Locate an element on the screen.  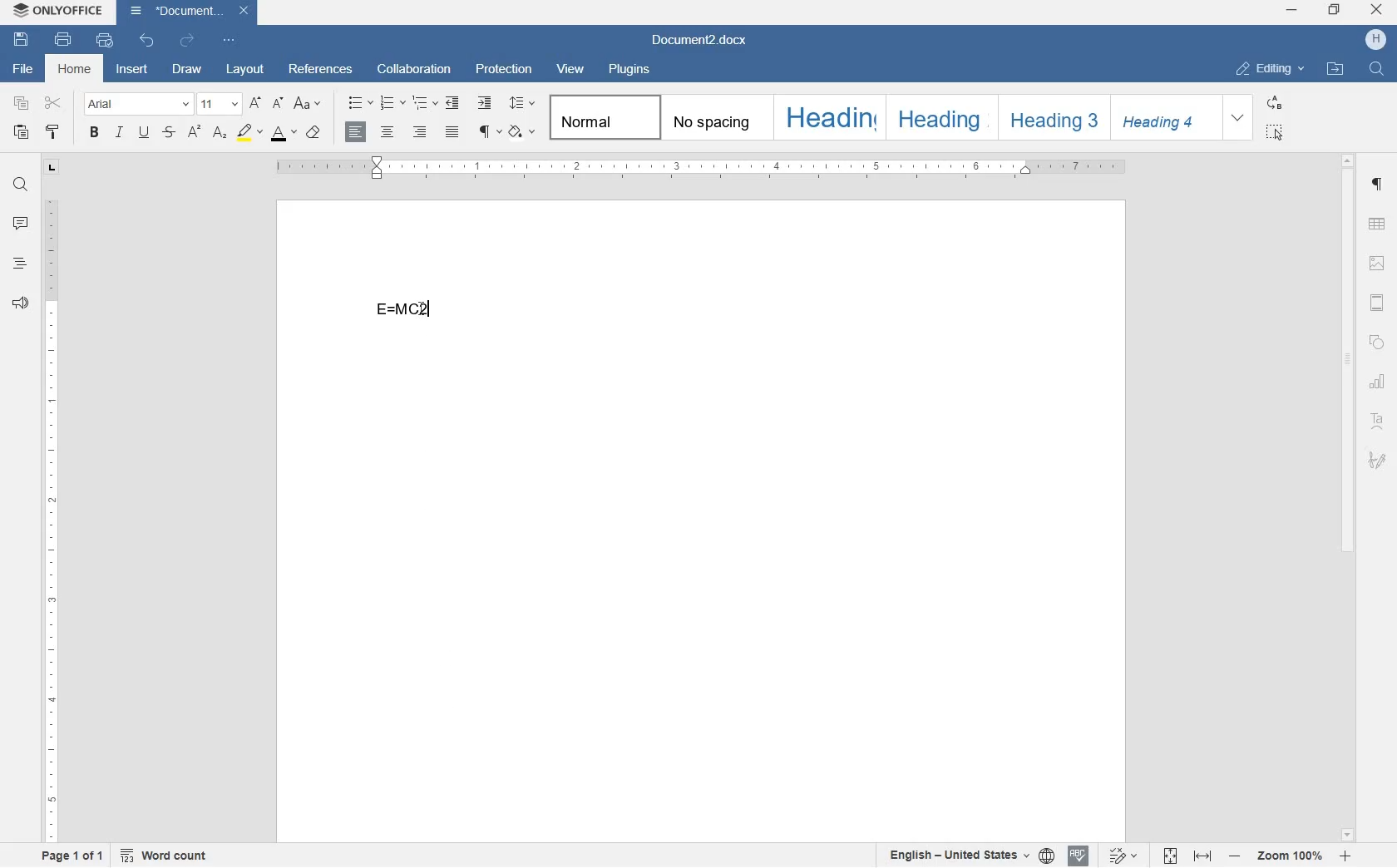
save is located at coordinates (21, 40).